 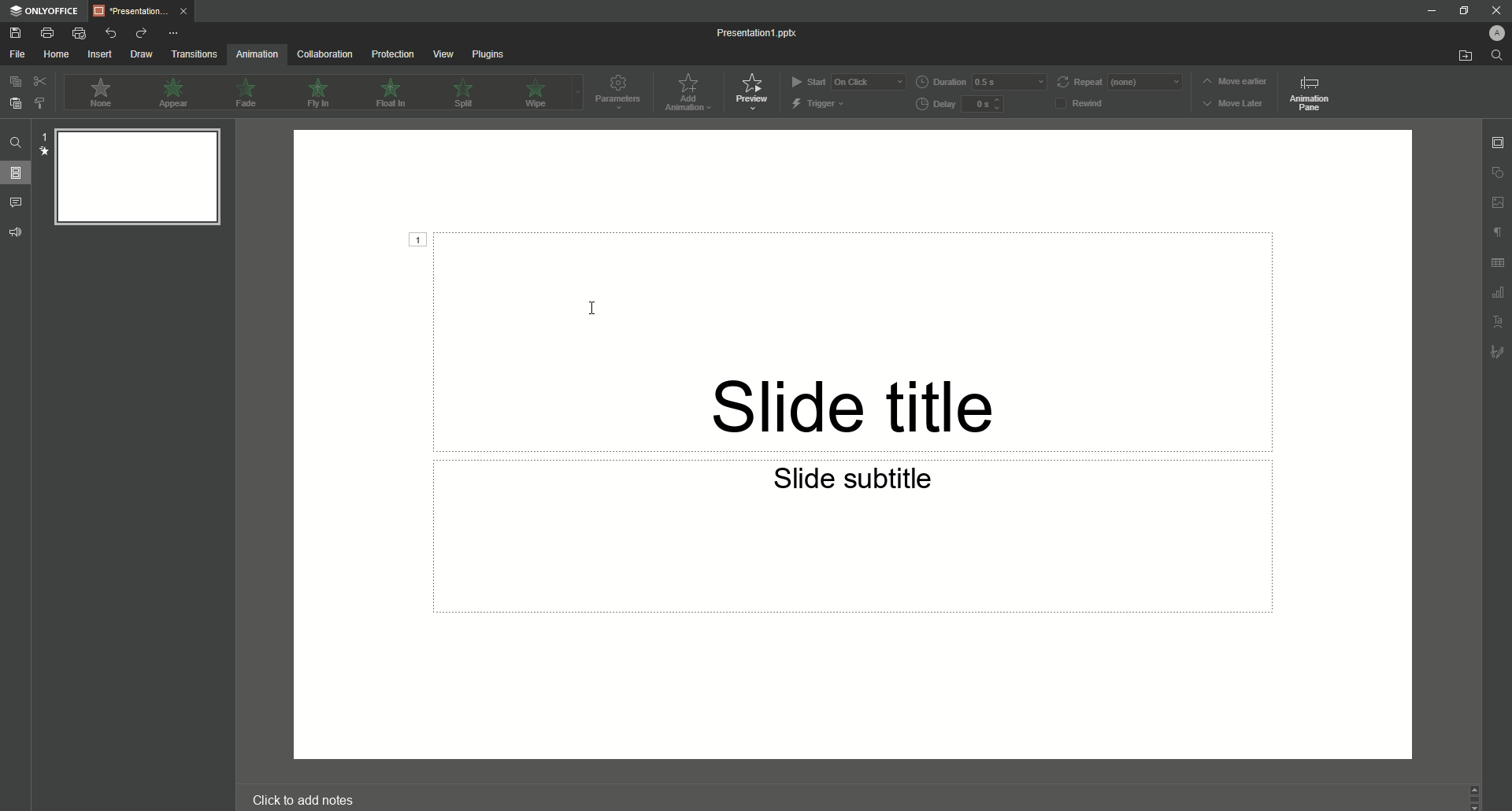 I want to click on Minimize, so click(x=1462, y=11).